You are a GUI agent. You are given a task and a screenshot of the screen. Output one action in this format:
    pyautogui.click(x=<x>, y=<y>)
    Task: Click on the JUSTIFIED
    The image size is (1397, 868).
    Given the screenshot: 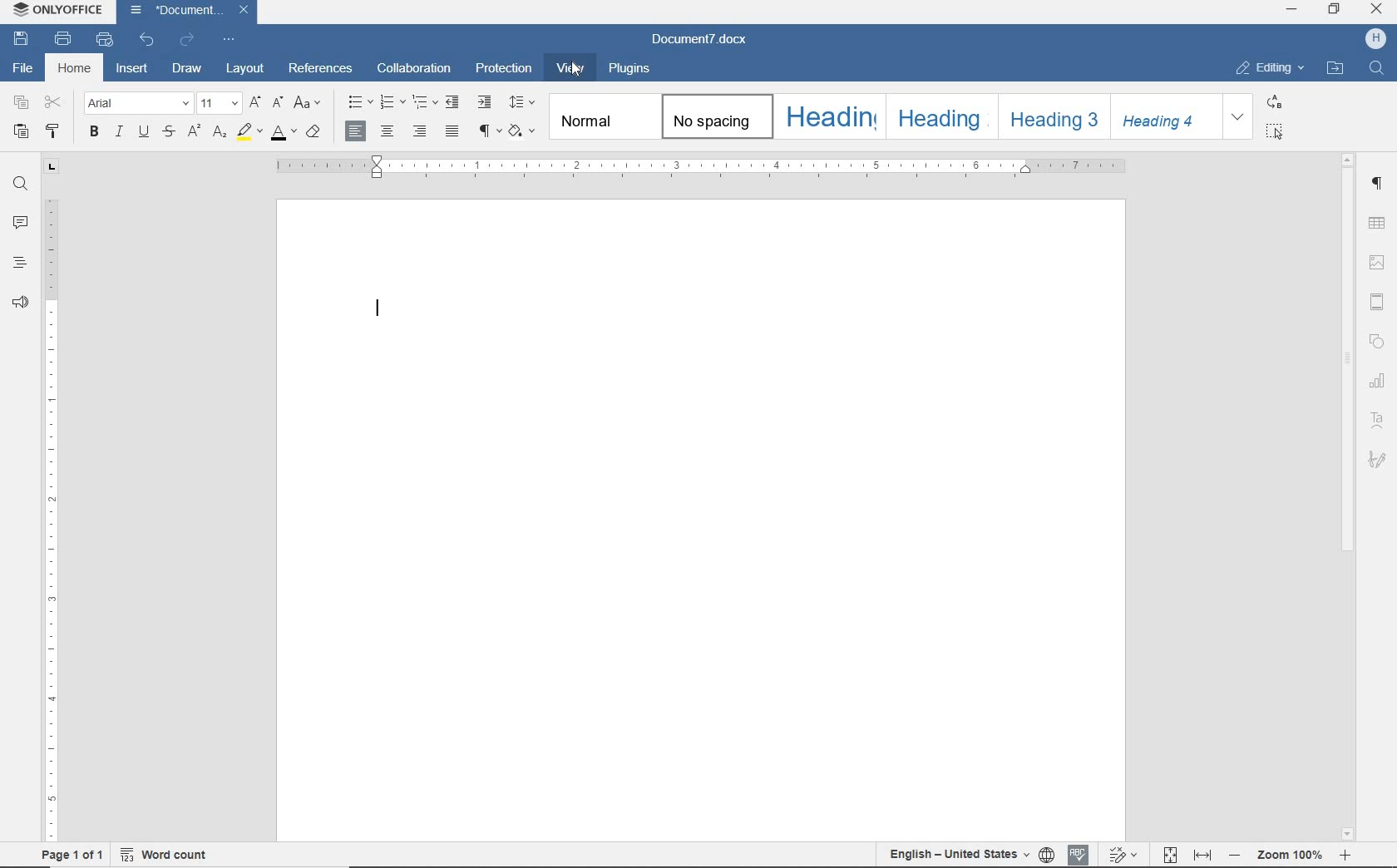 What is the action you would take?
    pyautogui.click(x=453, y=131)
    